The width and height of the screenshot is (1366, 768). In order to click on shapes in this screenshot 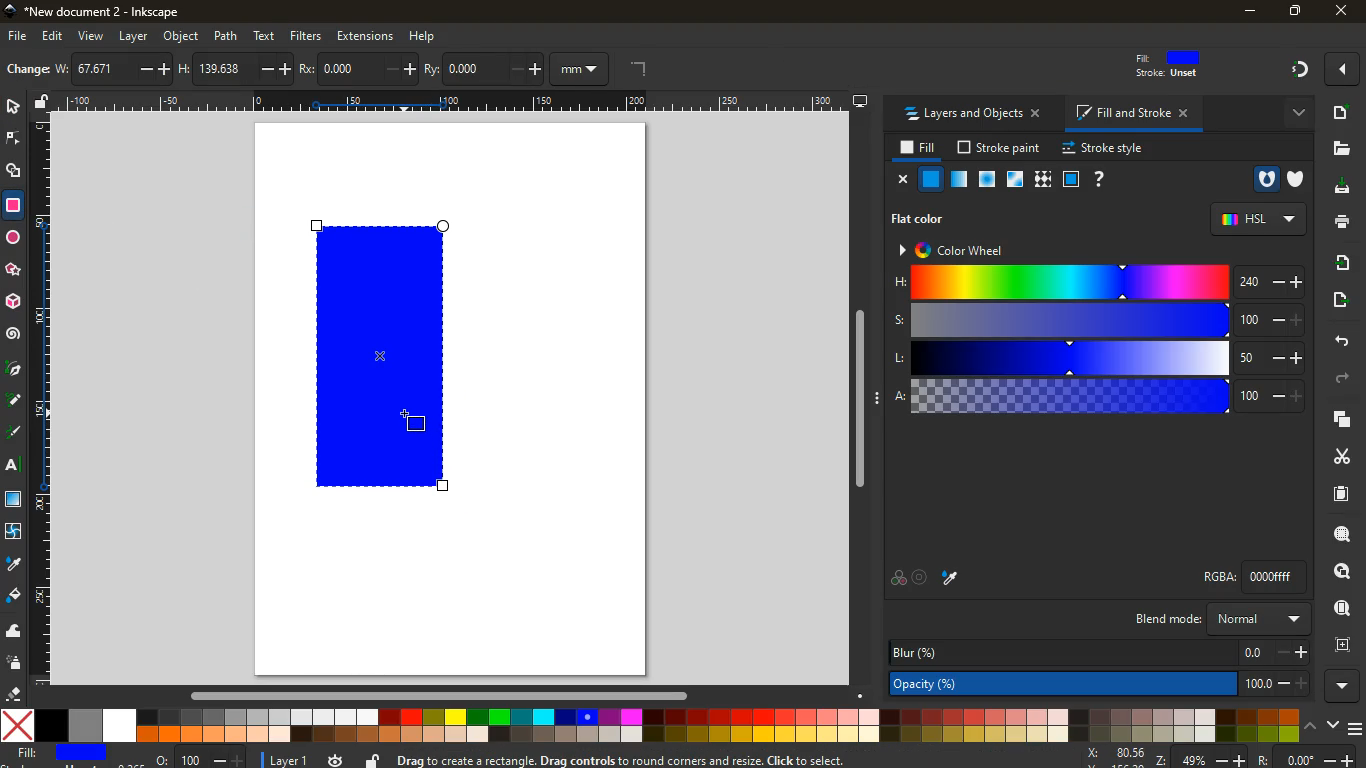, I will do `click(15, 173)`.